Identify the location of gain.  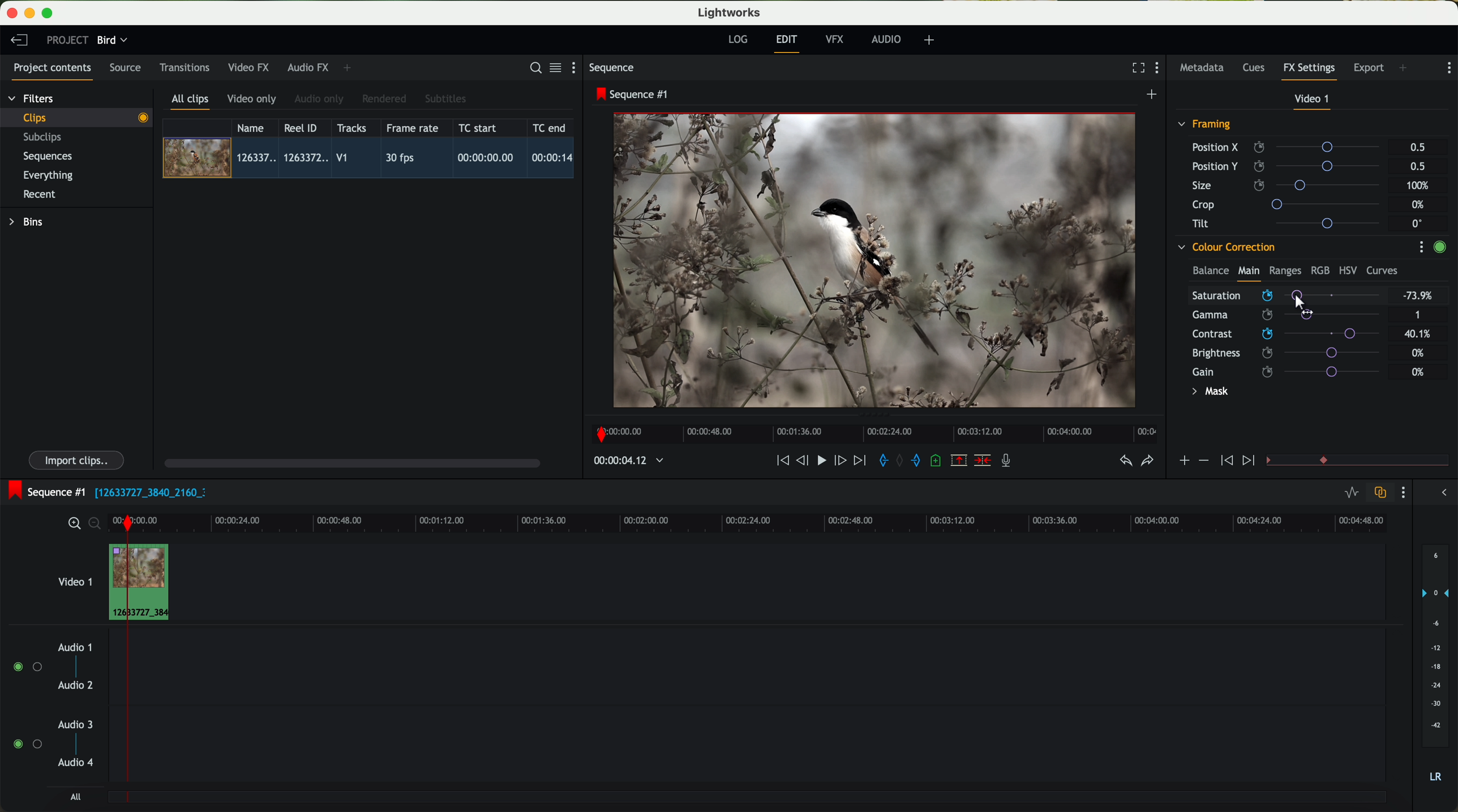
(1293, 371).